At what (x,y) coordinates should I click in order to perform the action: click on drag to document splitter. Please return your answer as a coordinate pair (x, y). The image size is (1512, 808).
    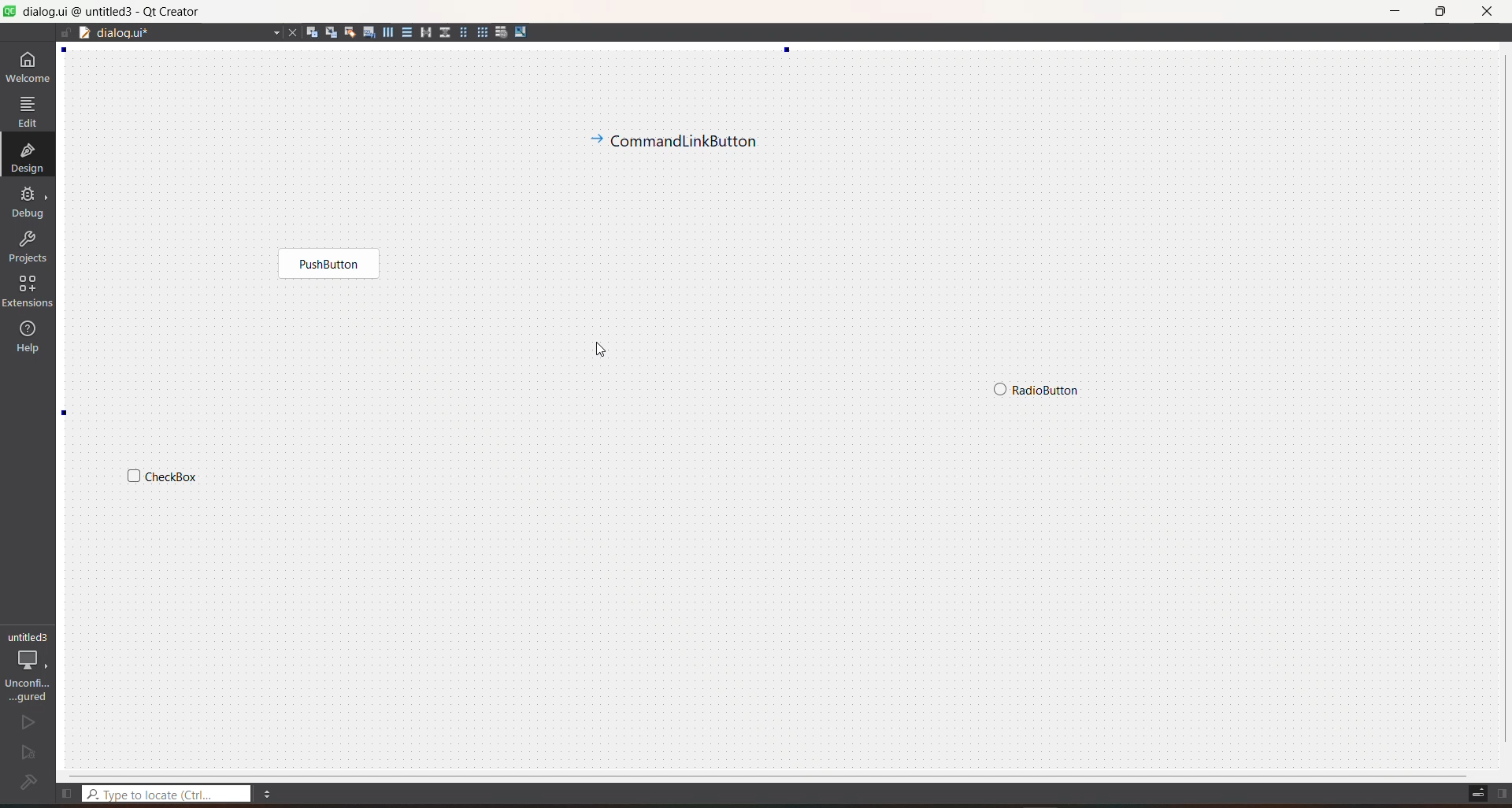
    Looking at the image, I should click on (84, 34).